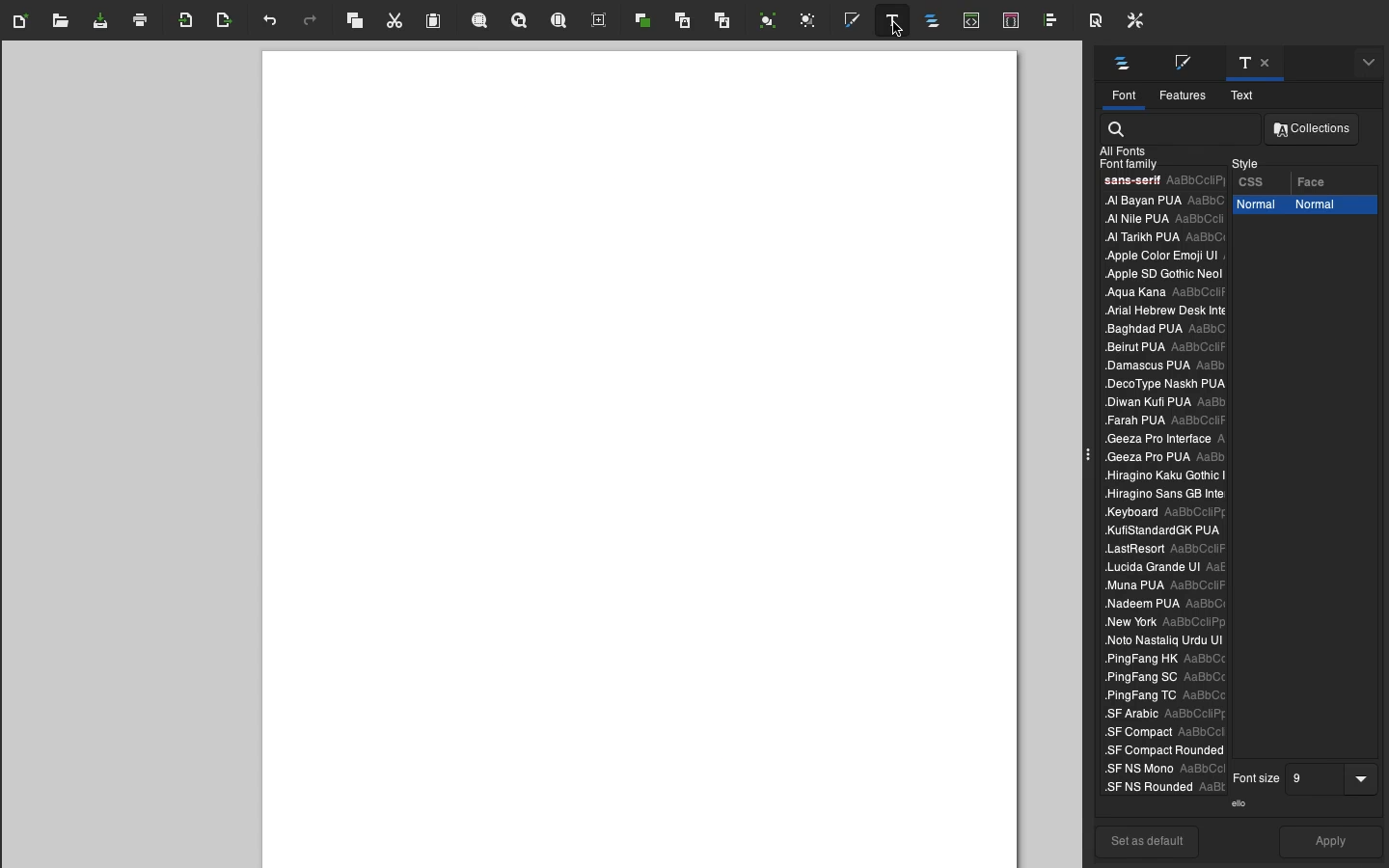  What do you see at coordinates (1157, 293) in the screenshot?
I see `.Aqua Kara` at bounding box center [1157, 293].